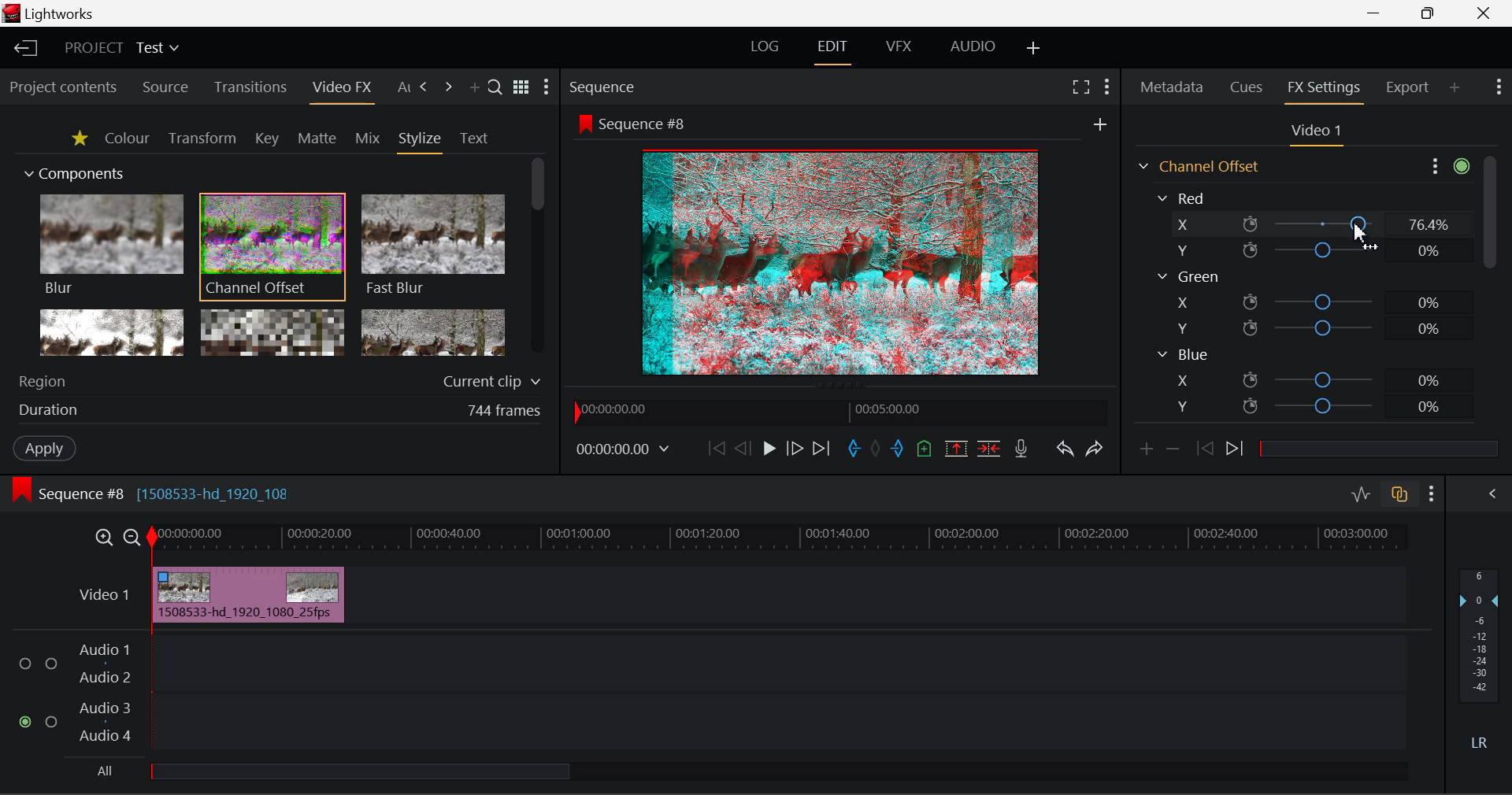  What do you see at coordinates (60, 14) in the screenshot?
I see `Window Title` at bounding box center [60, 14].